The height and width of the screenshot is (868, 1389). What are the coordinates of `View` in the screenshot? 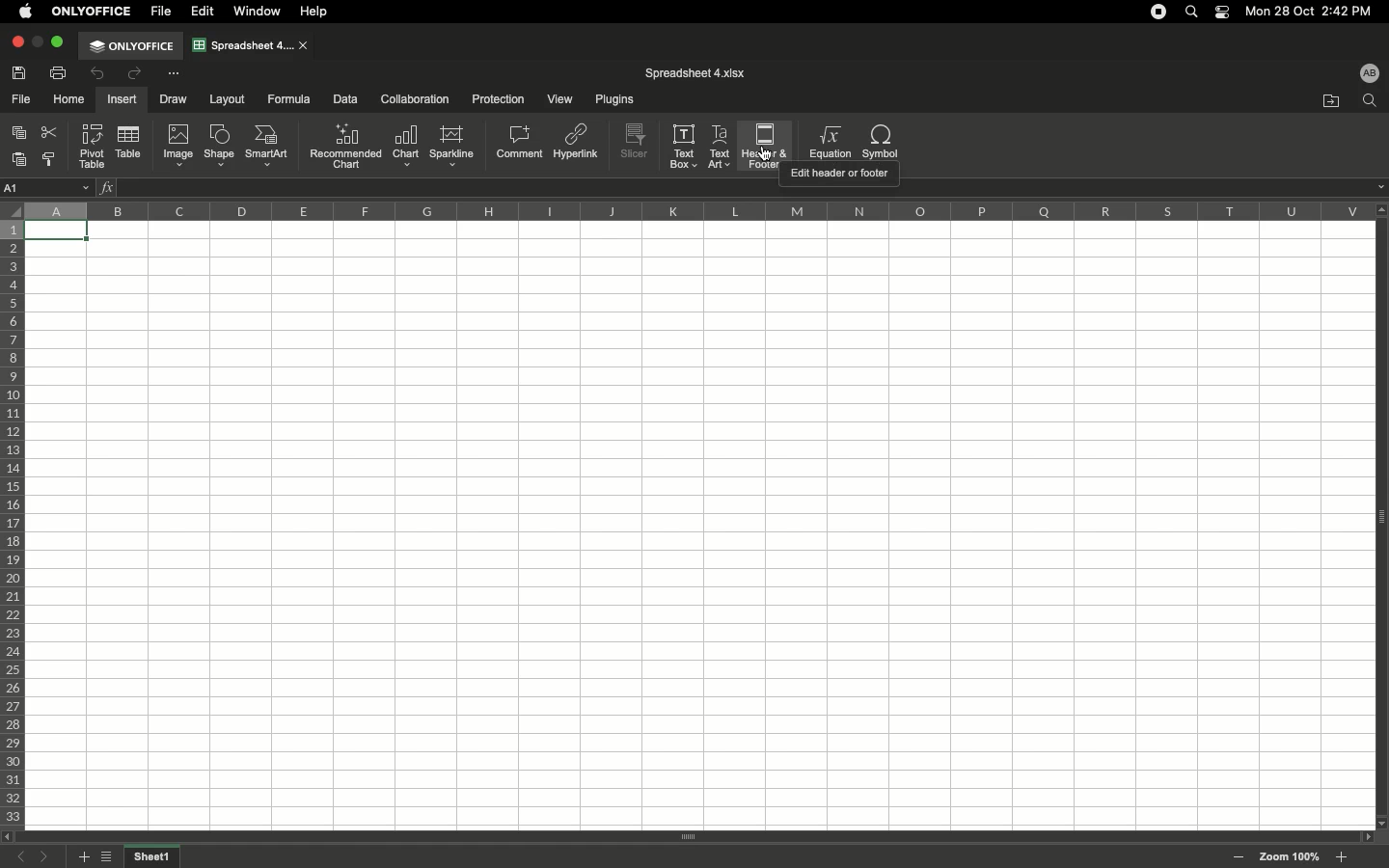 It's located at (558, 100).